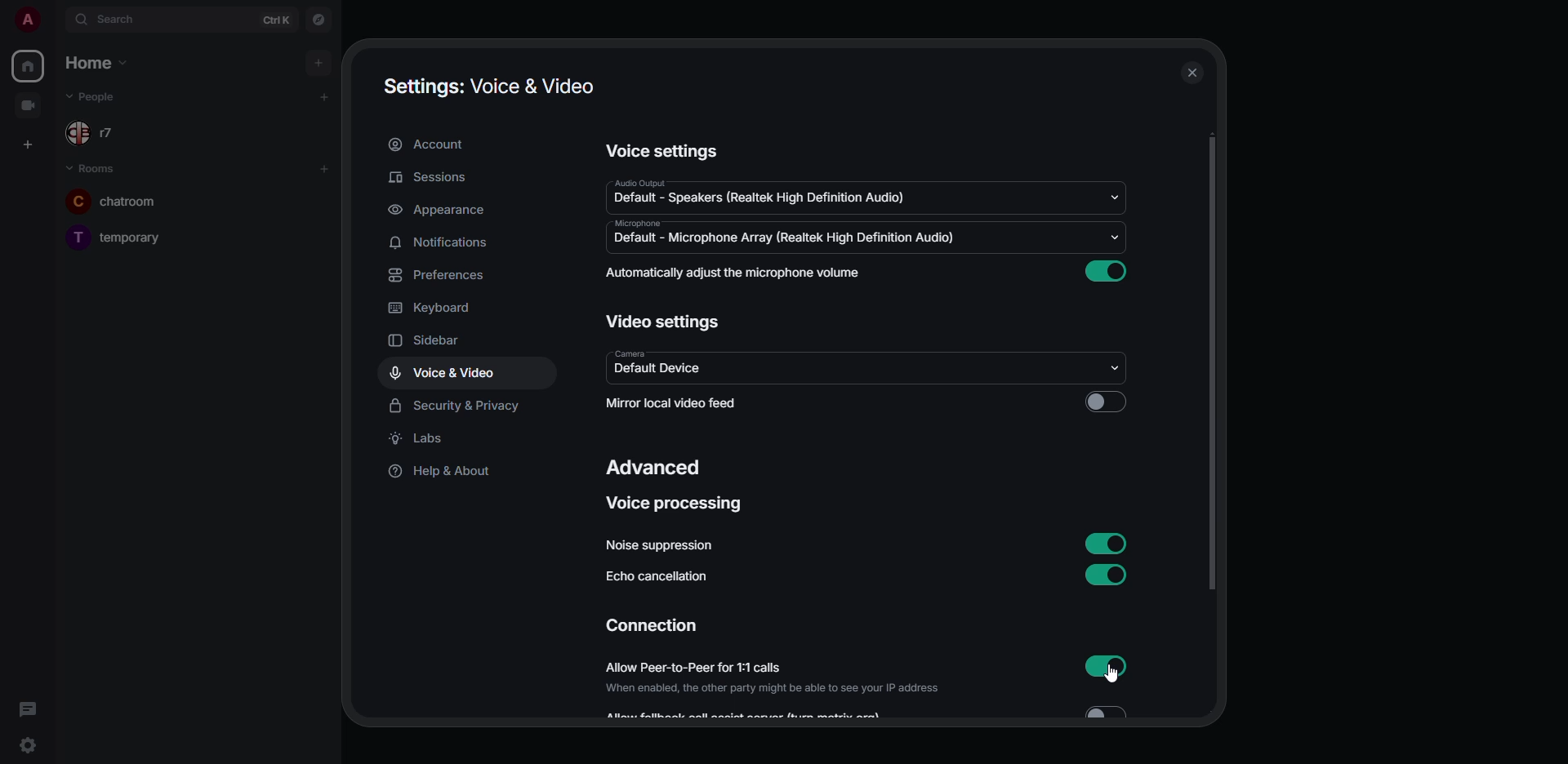  I want to click on mirror local video feed, so click(672, 404).